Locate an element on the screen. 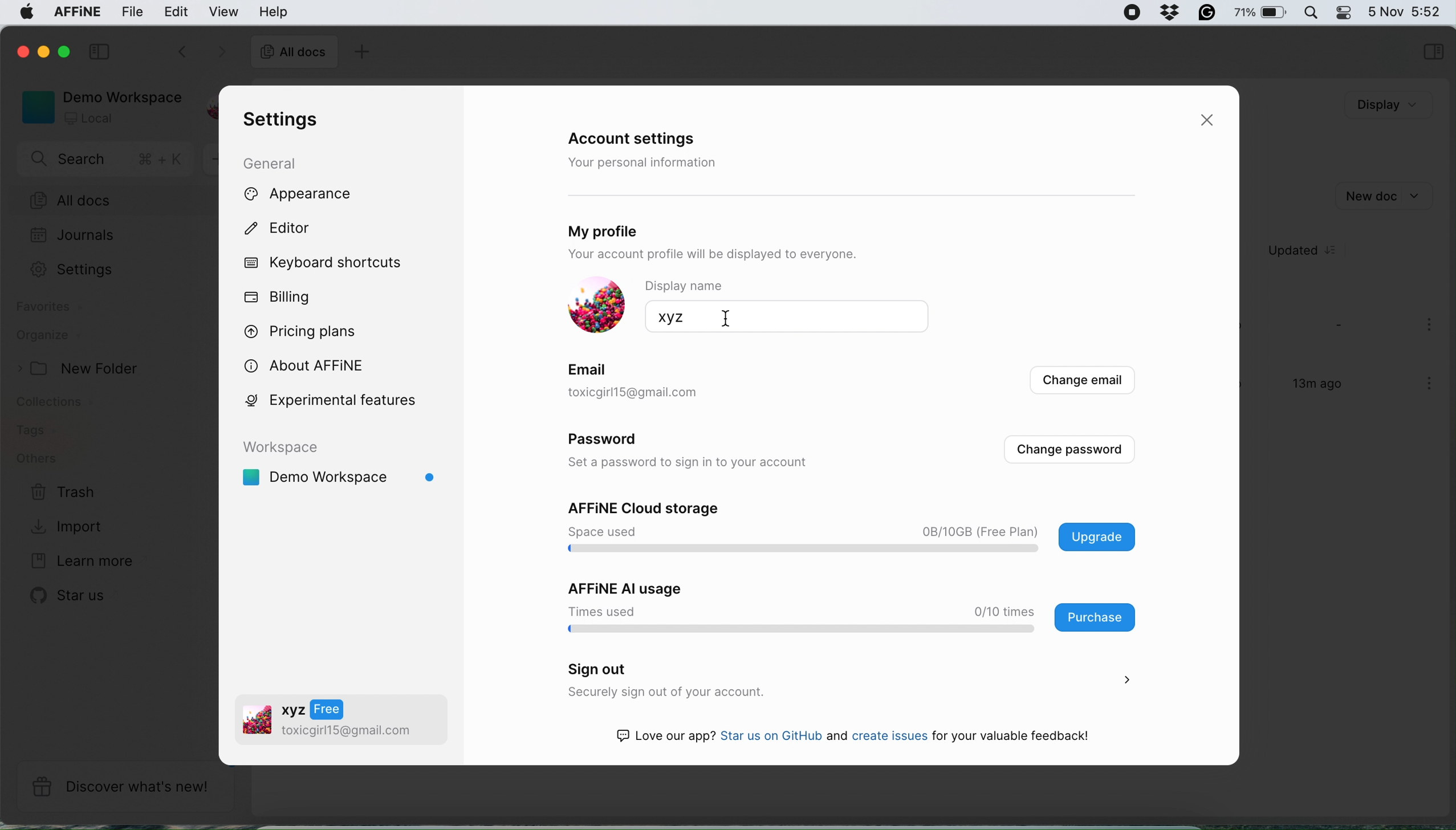  about affine is located at coordinates (311, 364).